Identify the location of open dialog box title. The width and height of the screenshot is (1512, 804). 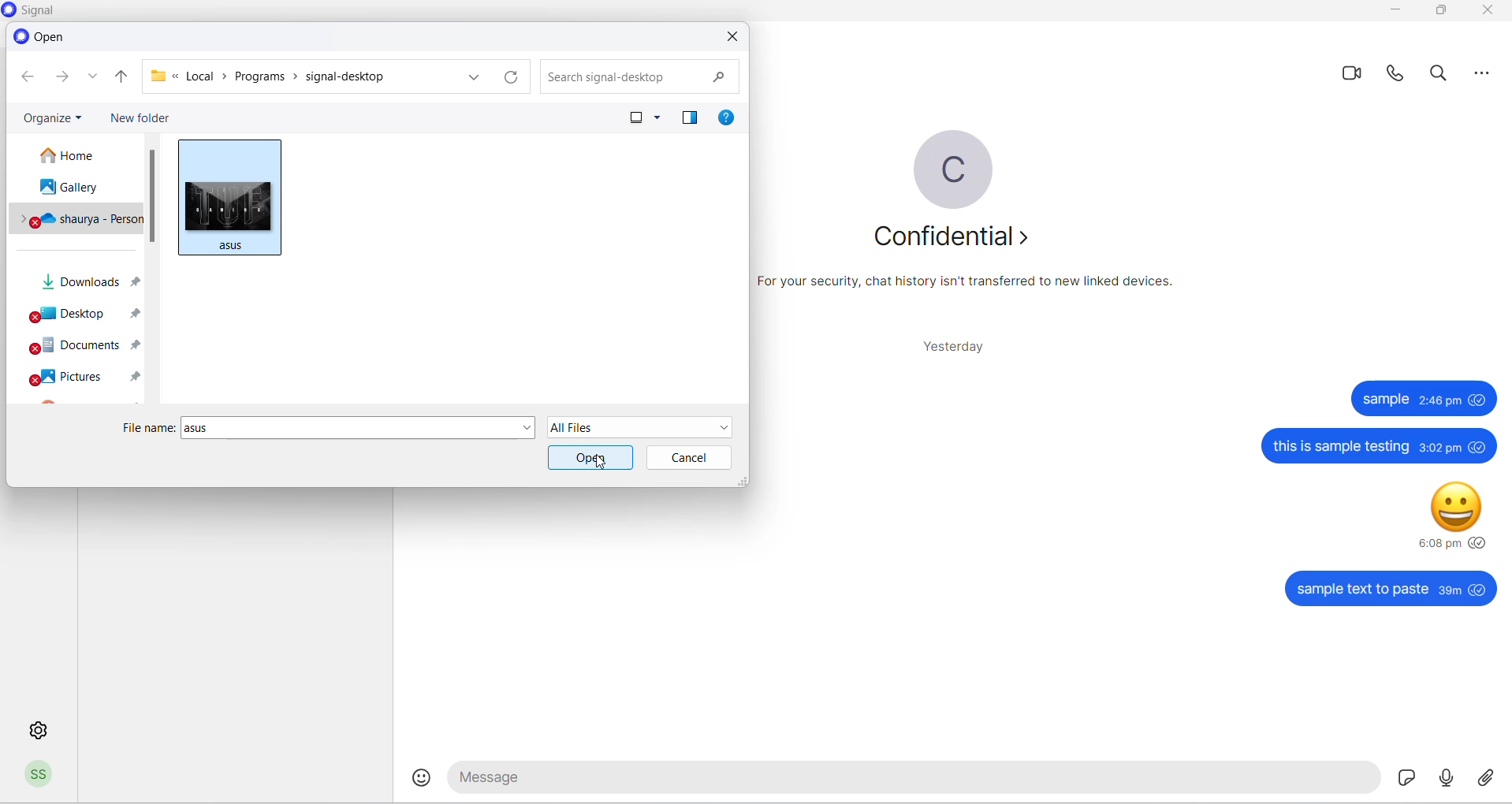
(43, 36).